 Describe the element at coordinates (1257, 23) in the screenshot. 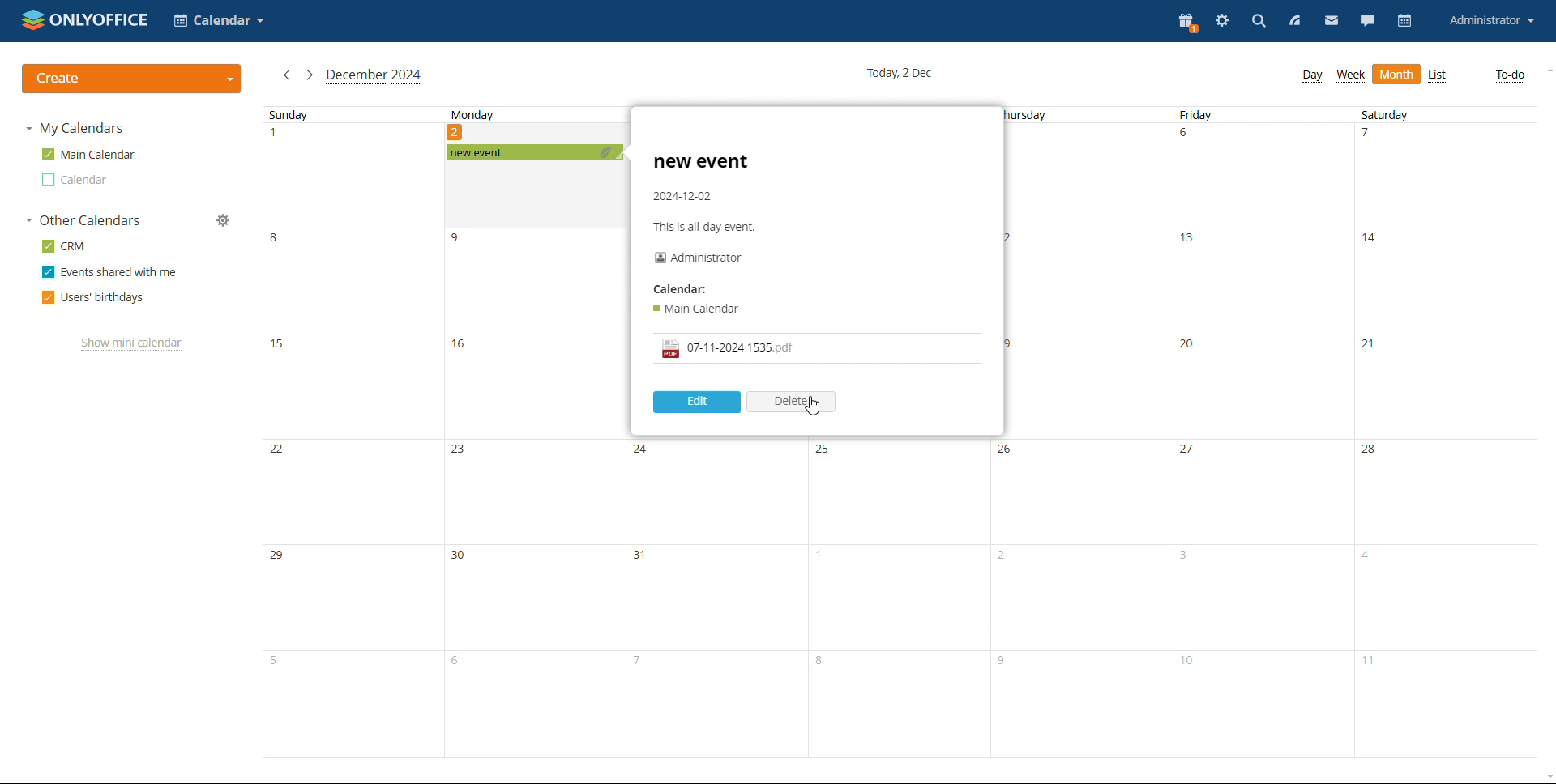

I see `search` at that location.